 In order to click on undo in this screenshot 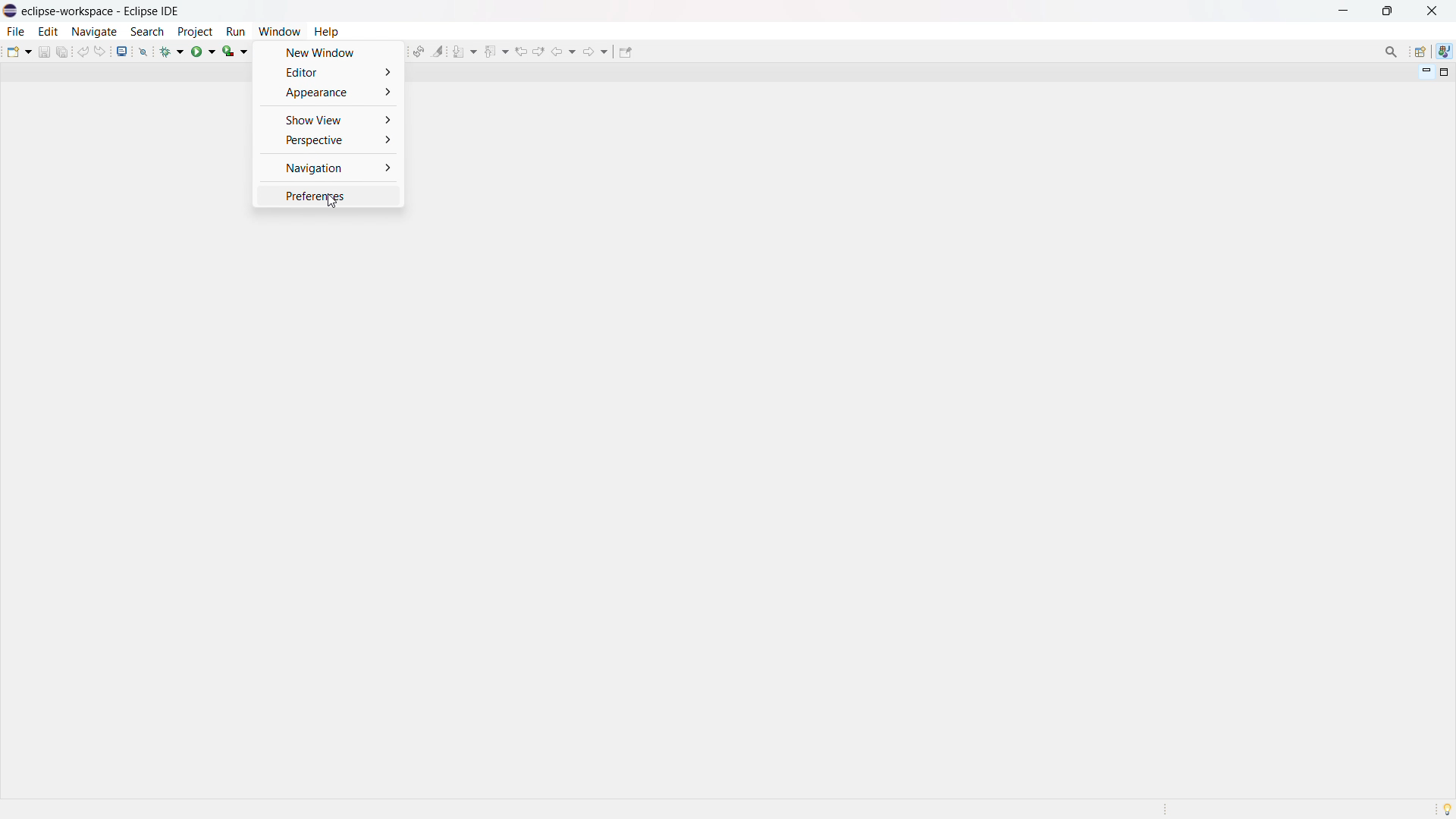, I will do `click(83, 52)`.